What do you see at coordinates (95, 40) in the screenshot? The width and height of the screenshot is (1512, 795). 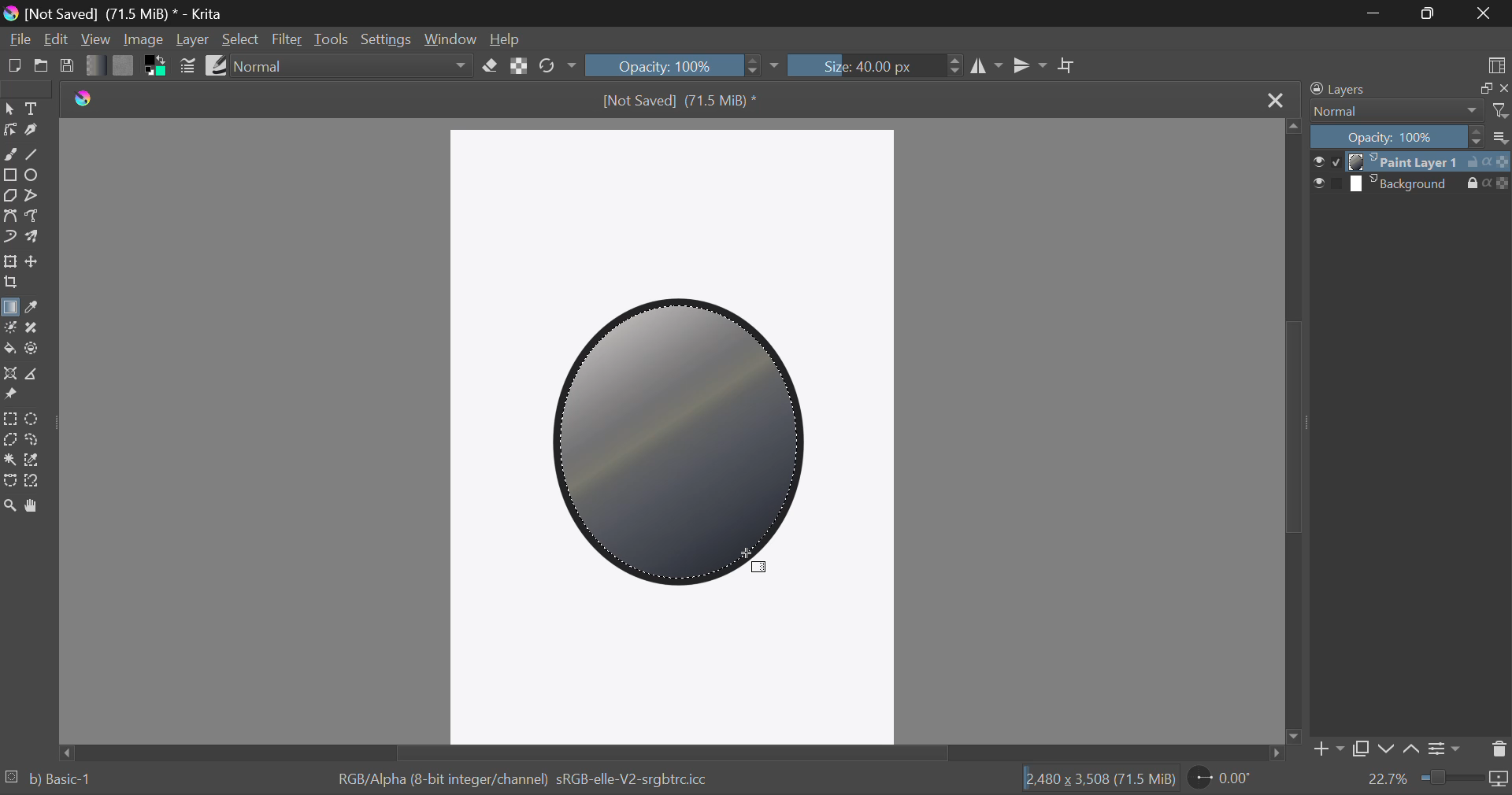 I see `View` at bounding box center [95, 40].